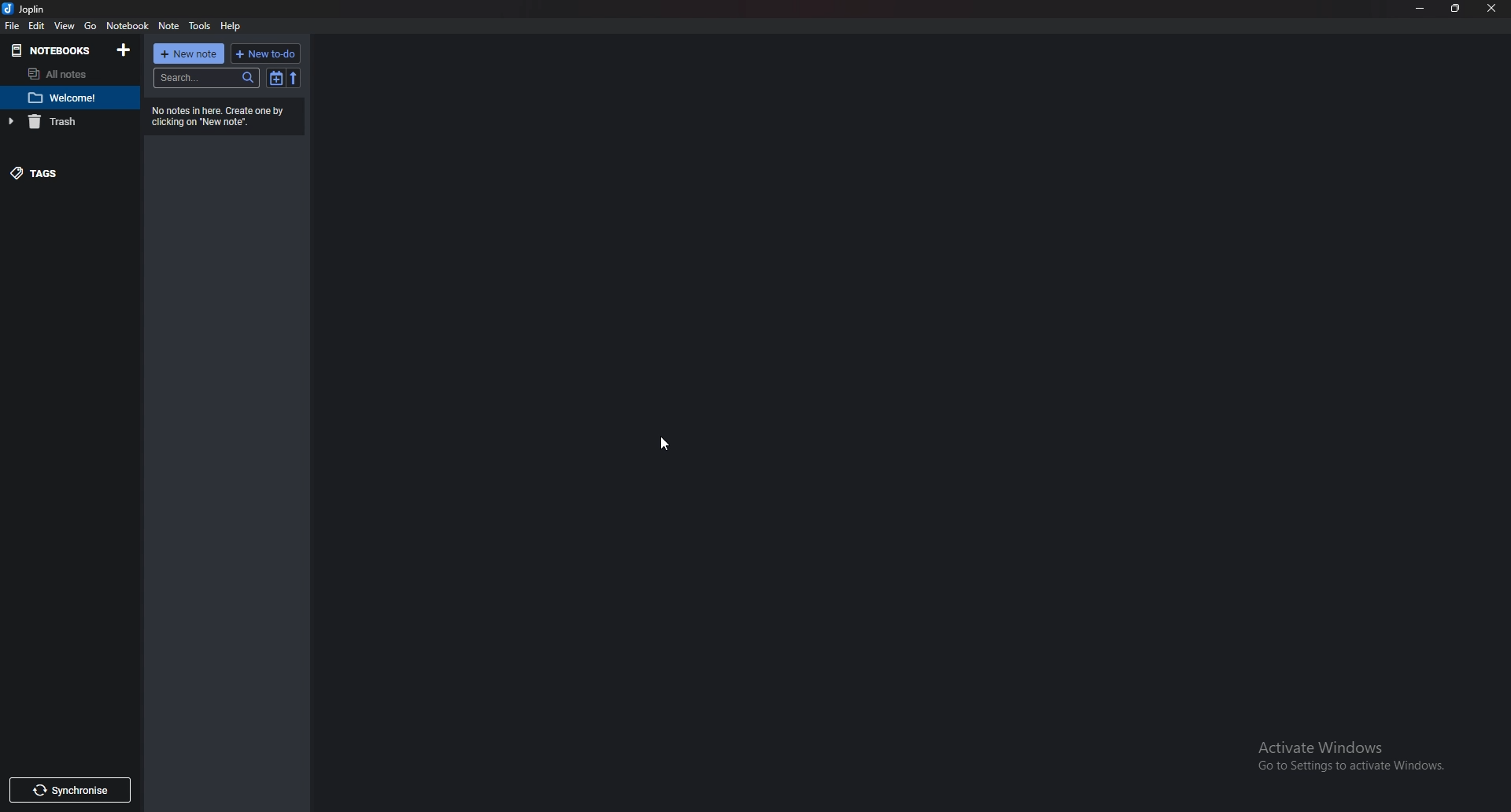 The width and height of the screenshot is (1511, 812). I want to click on Toggle sort order, so click(275, 79).